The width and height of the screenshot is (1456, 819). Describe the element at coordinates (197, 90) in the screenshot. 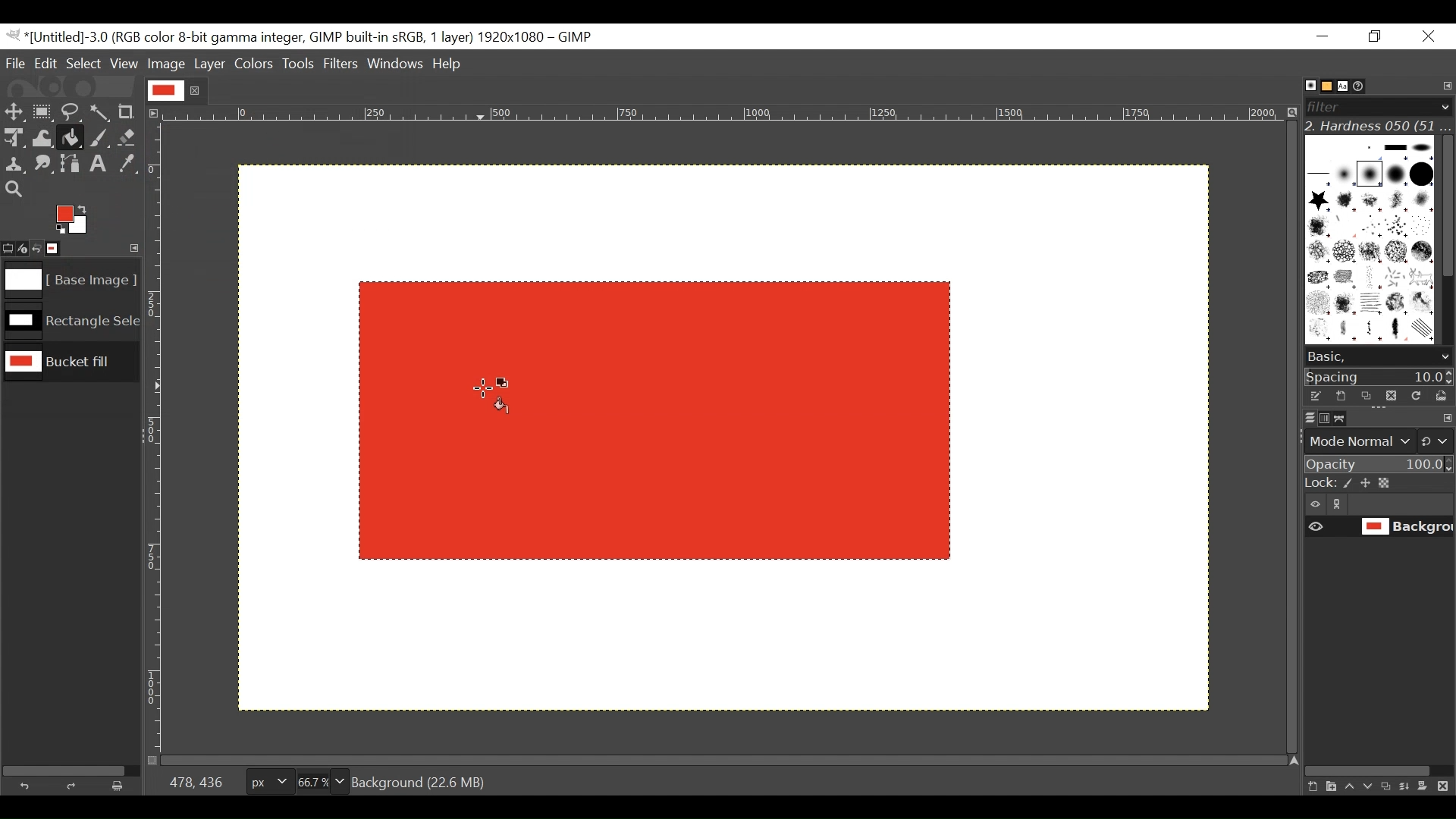

I see `close` at that location.